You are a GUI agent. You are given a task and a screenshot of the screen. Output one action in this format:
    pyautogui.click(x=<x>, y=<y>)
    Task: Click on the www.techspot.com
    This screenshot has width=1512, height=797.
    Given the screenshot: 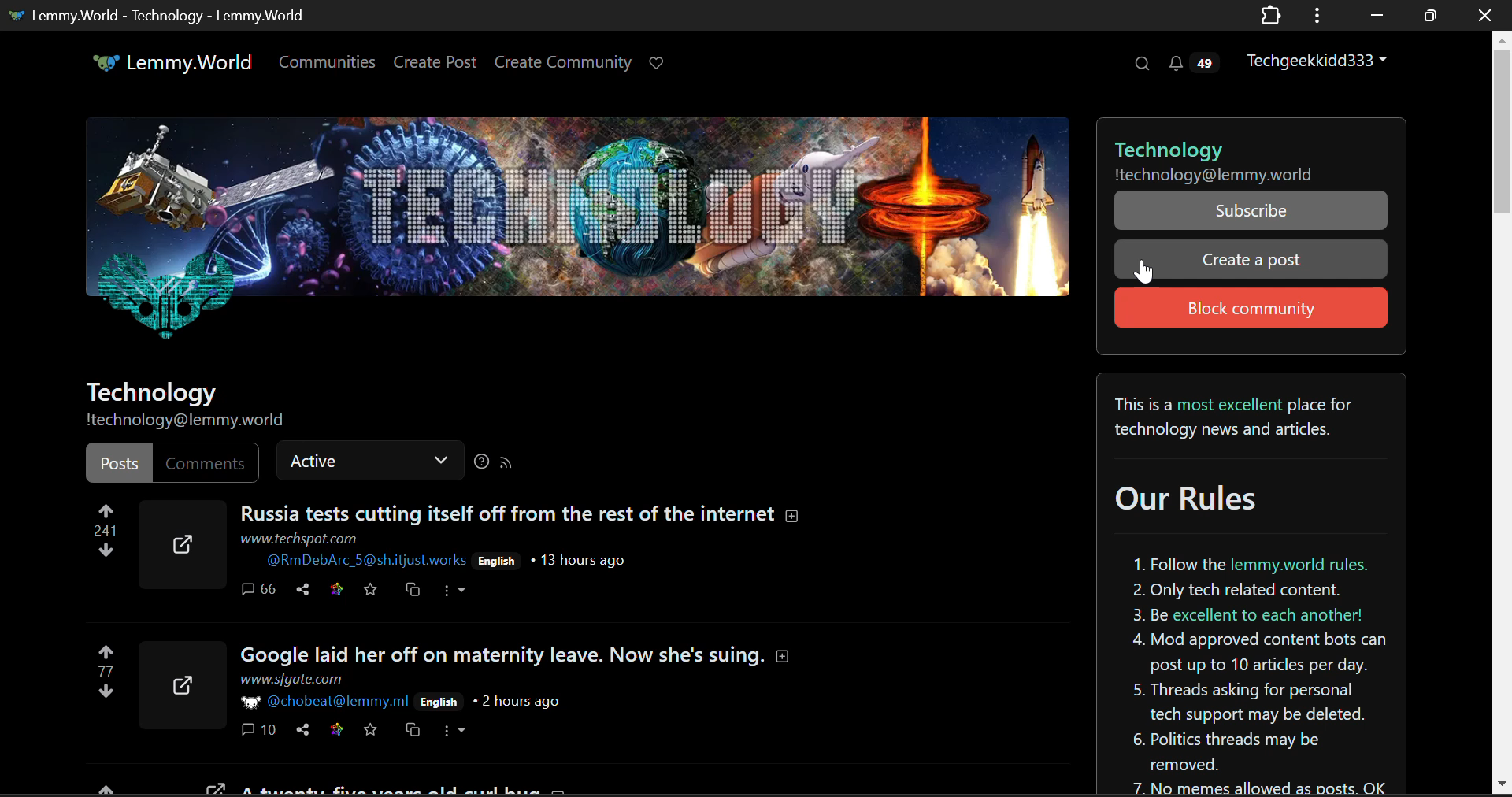 What is the action you would take?
    pyautogui.click(x=299, y=538)
    